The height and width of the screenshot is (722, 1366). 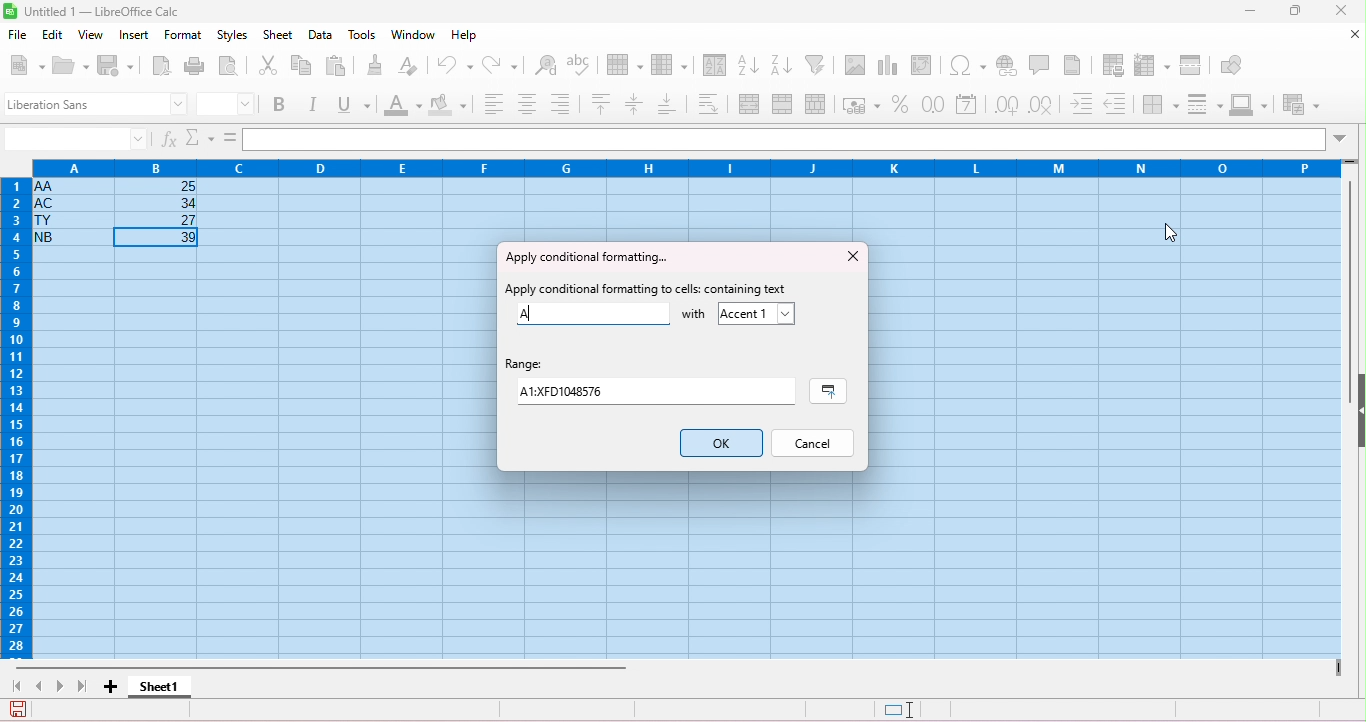 What do you see at coordinates (526, 314) in the screenshot?
I see `A typed` at bounding box center [526, 314].